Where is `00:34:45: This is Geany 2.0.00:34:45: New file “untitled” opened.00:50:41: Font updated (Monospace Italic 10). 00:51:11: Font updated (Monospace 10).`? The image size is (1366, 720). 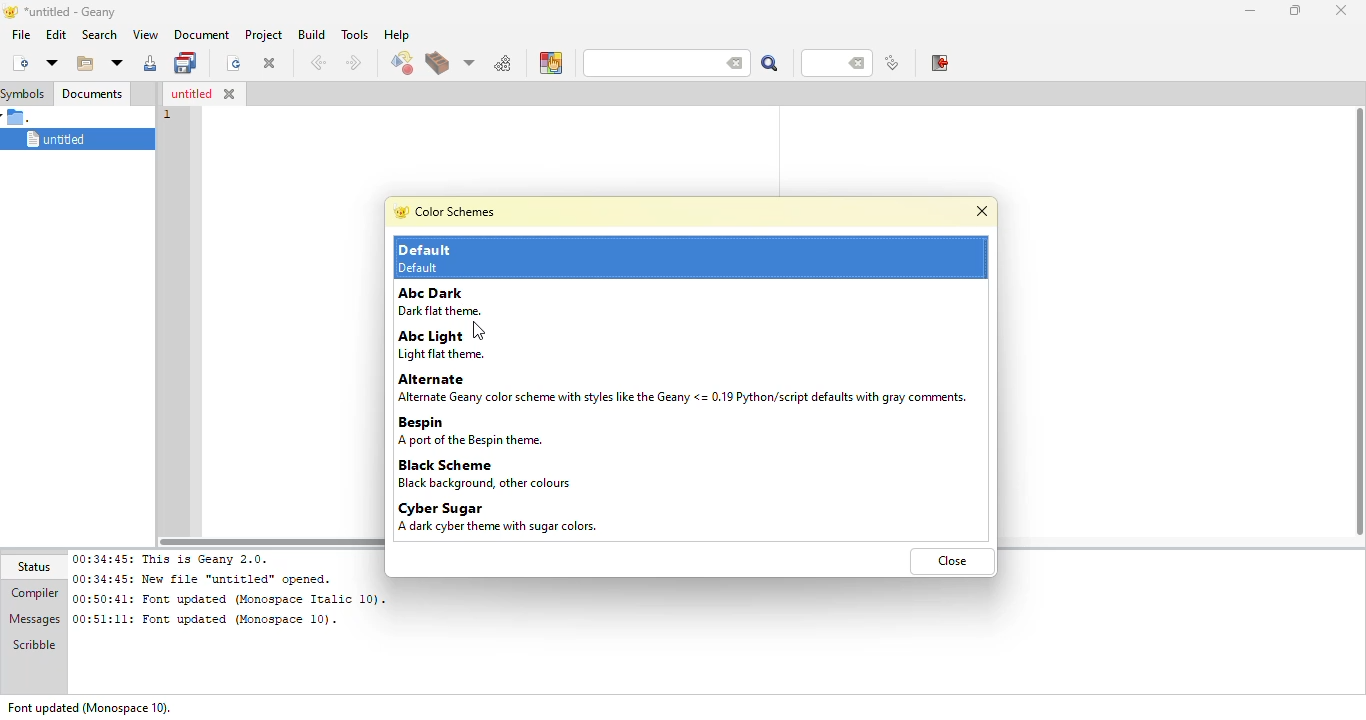 00:34:45: This is Geany 2.0.00:34:45: New file “untitled” opened.00:50:41: Font updated (Monospace Italic 10). 00:51:11: Font updated (Monospace 10). is located at coordinates (228, 589).